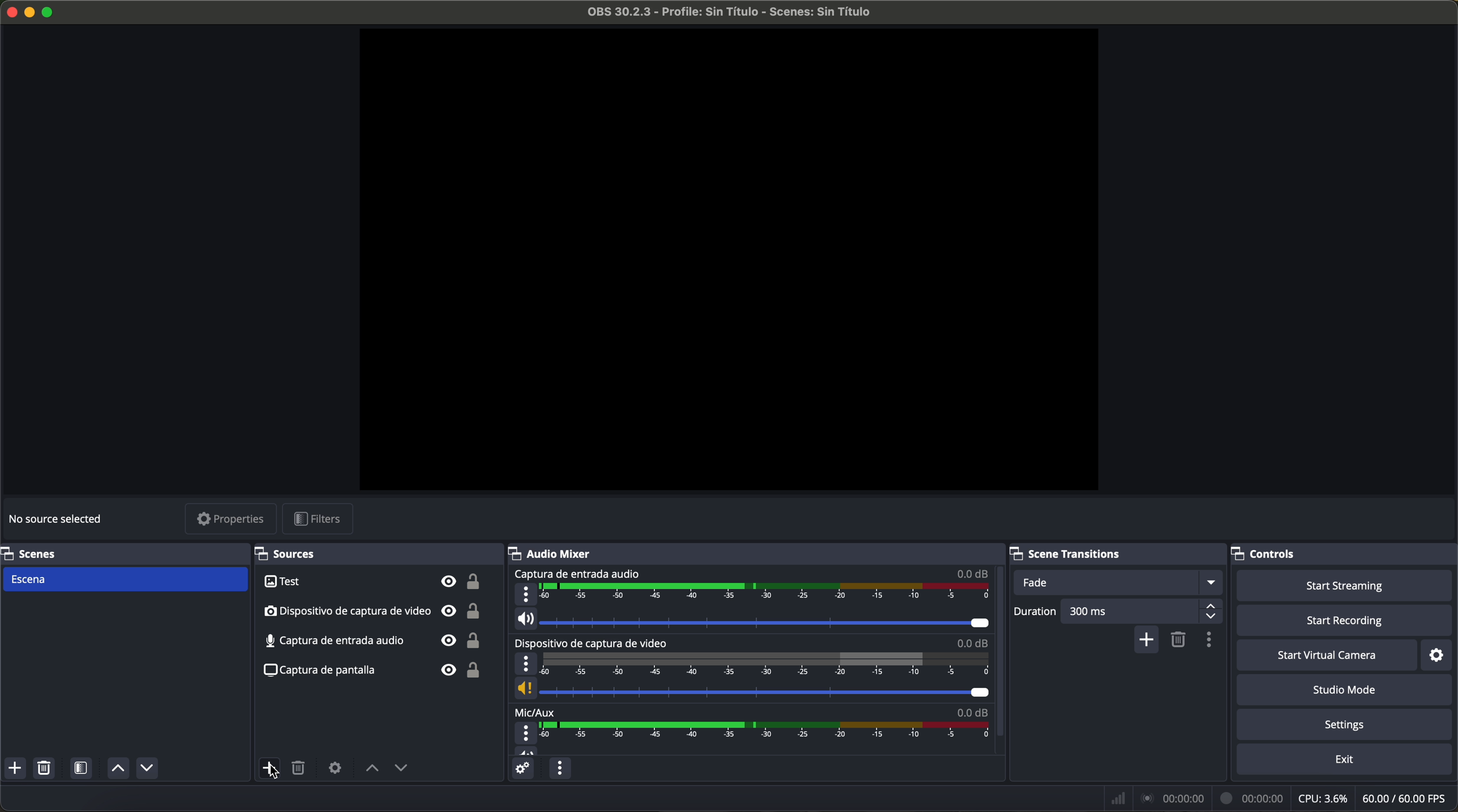  Describe the element at coordinates (44, 768) in the screenshot. I see `remove selected scenes` at that location.